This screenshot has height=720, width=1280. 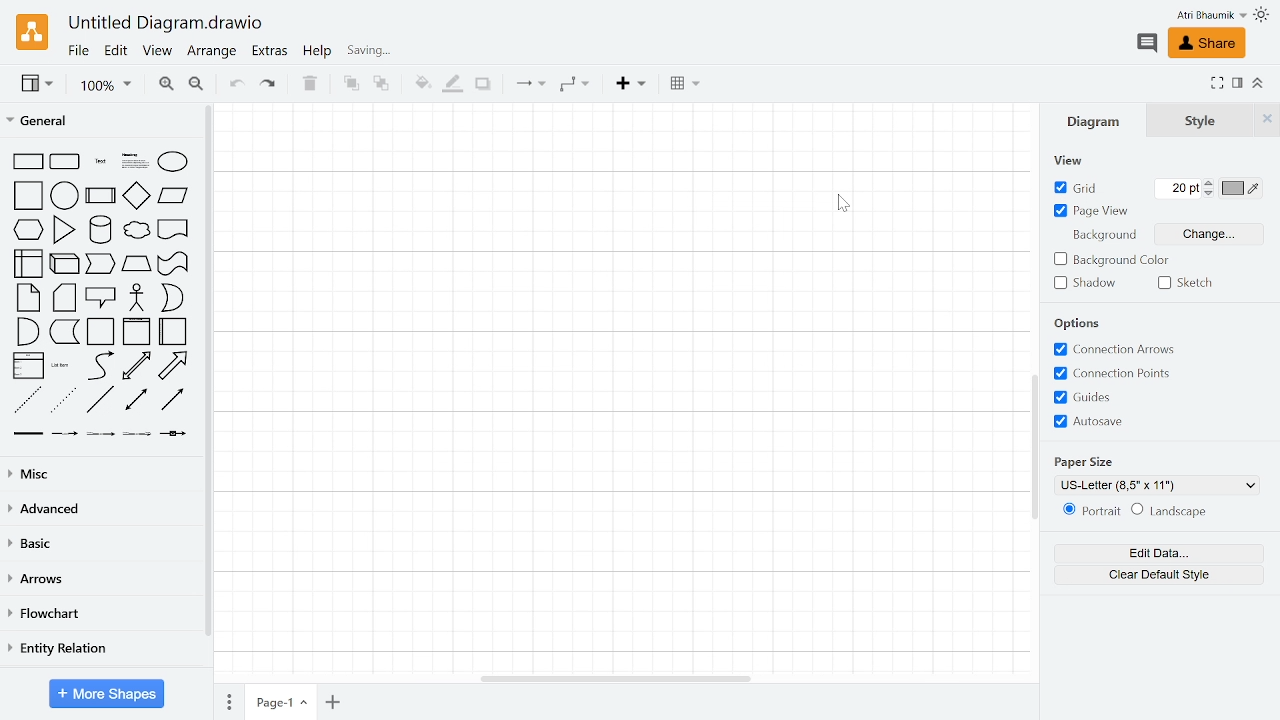 I want to click on Extras, so click(x=272, y=52).